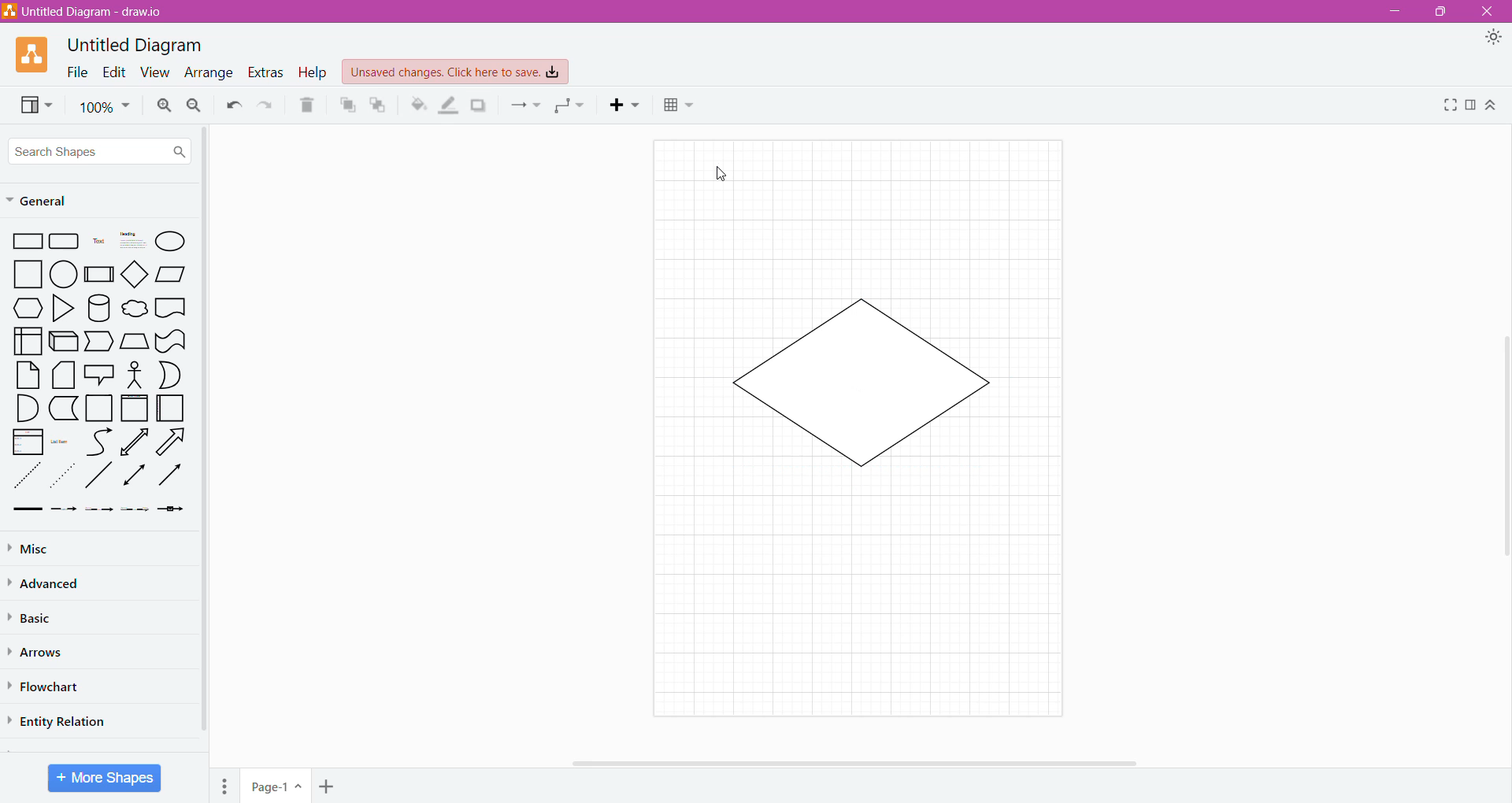 The height and width of the screenshot is (803, 1512). What do you see at coordinates (276, 786) in the screenshot?
I see `` at bounding box center [276, 786].